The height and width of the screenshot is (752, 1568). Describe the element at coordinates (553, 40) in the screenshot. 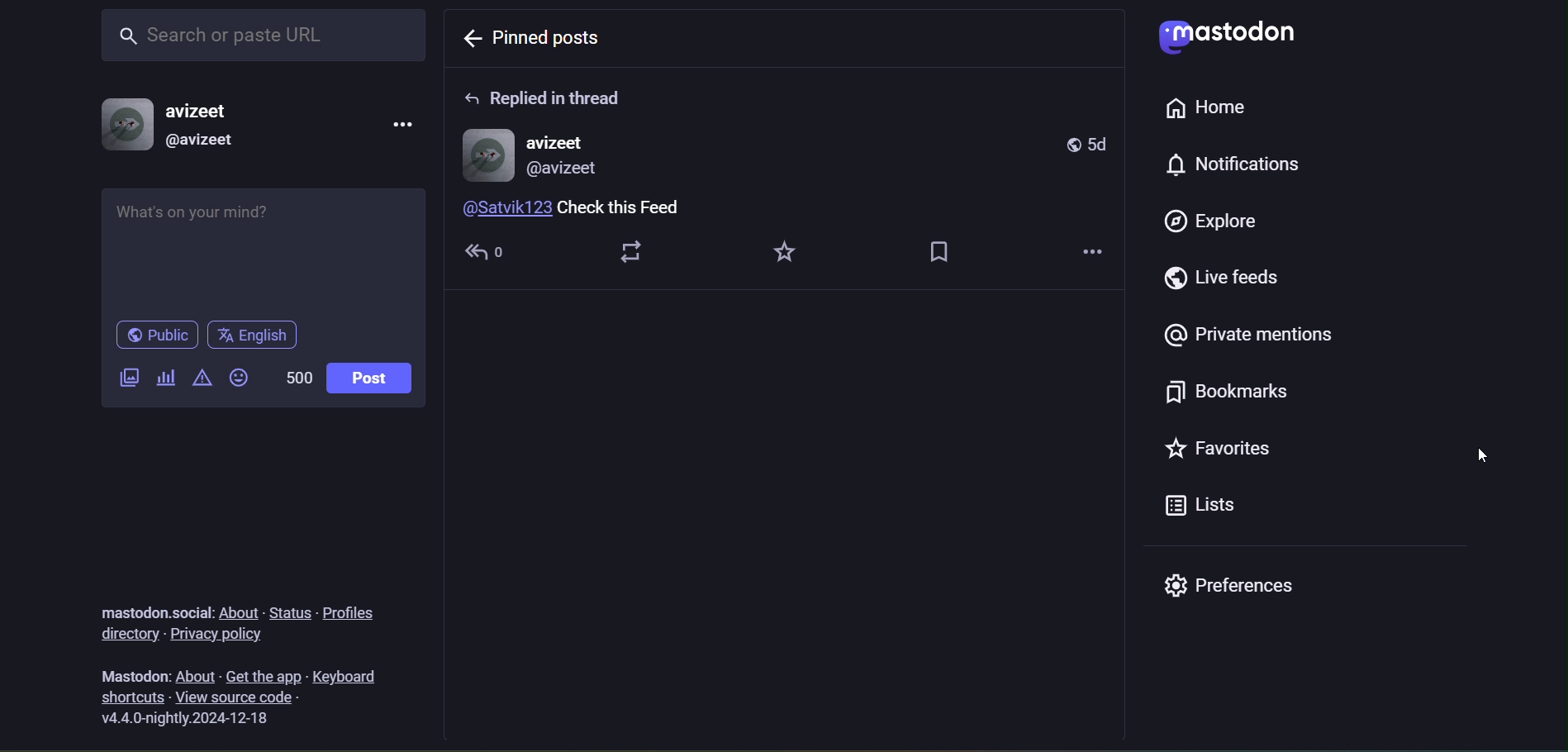

I see `Pinned post` at that location.